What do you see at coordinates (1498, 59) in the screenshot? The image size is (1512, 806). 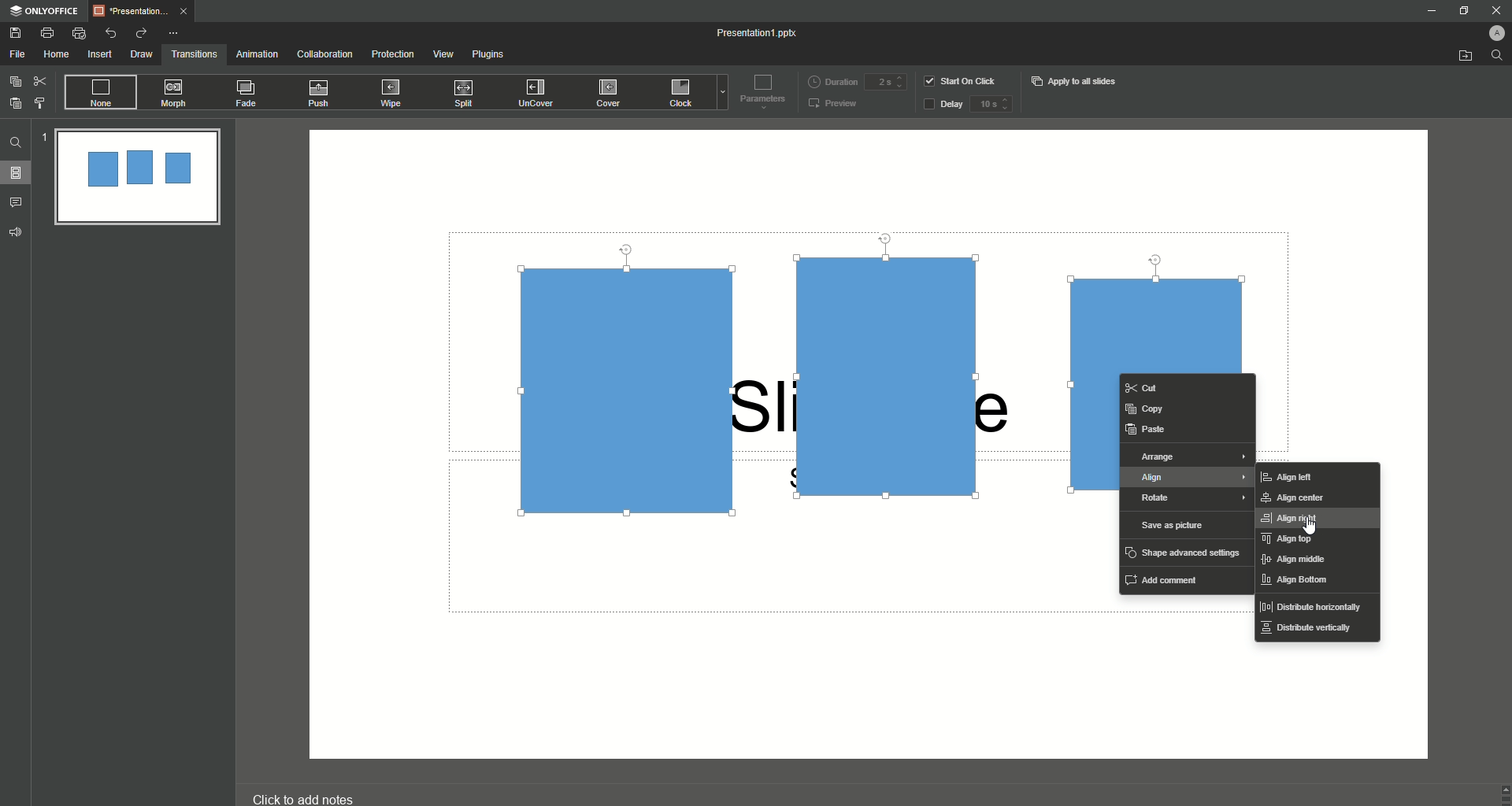 I see `search` at bounding box center [1498, 59].